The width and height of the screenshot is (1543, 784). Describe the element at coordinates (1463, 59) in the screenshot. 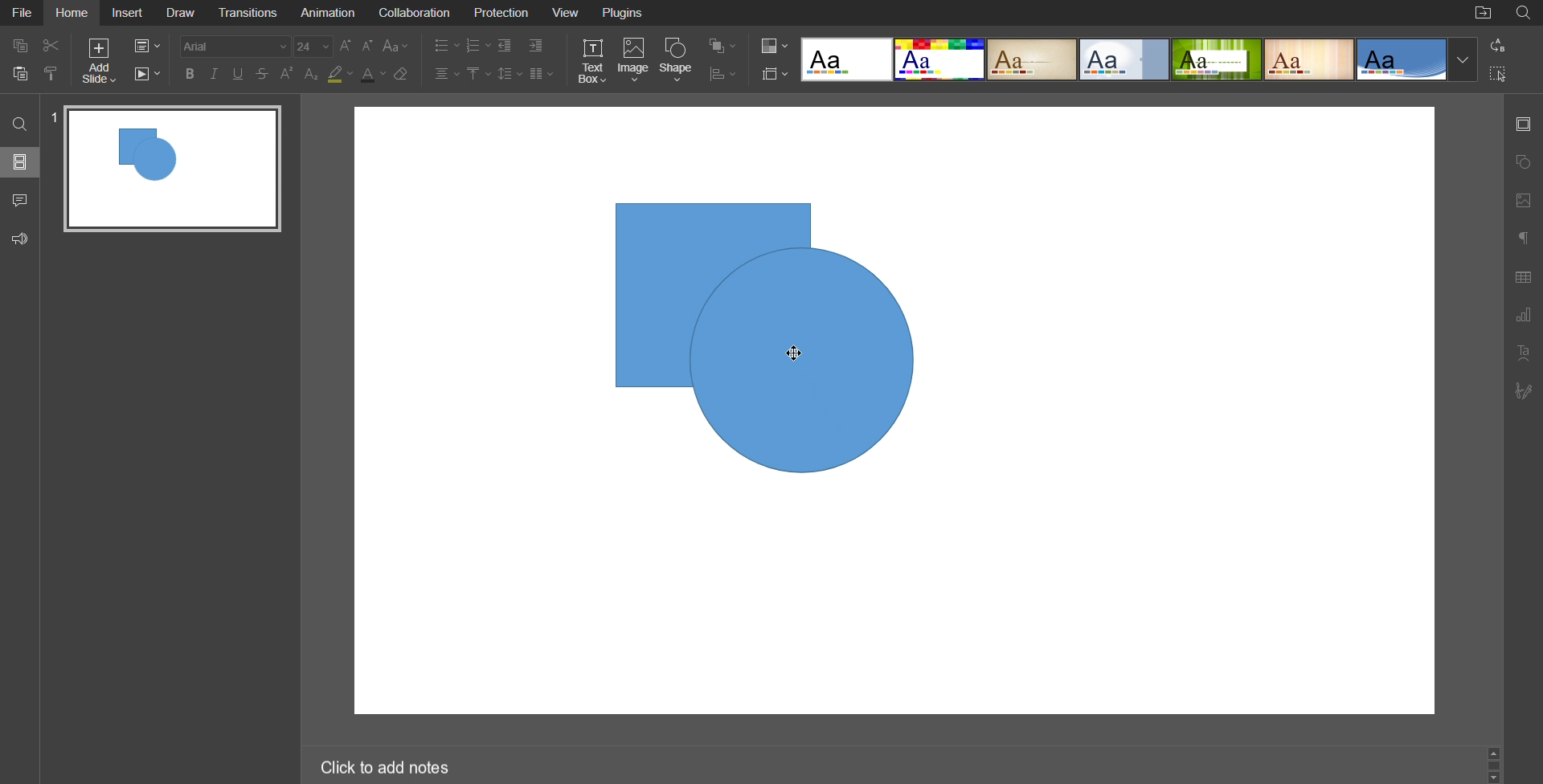

I see `Template Dropdown` at that location.